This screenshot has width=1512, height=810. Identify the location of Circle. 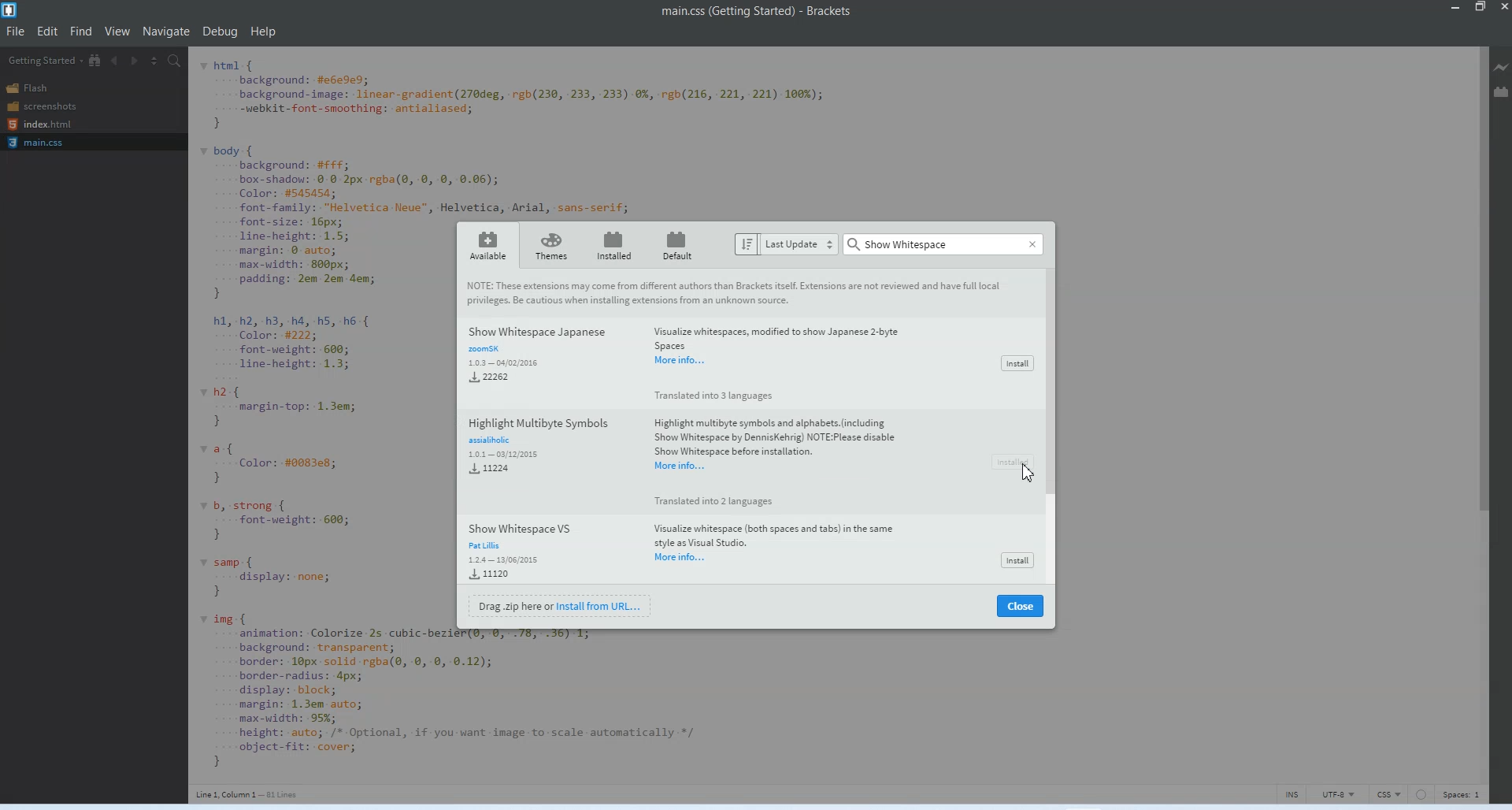
(1423, 793).